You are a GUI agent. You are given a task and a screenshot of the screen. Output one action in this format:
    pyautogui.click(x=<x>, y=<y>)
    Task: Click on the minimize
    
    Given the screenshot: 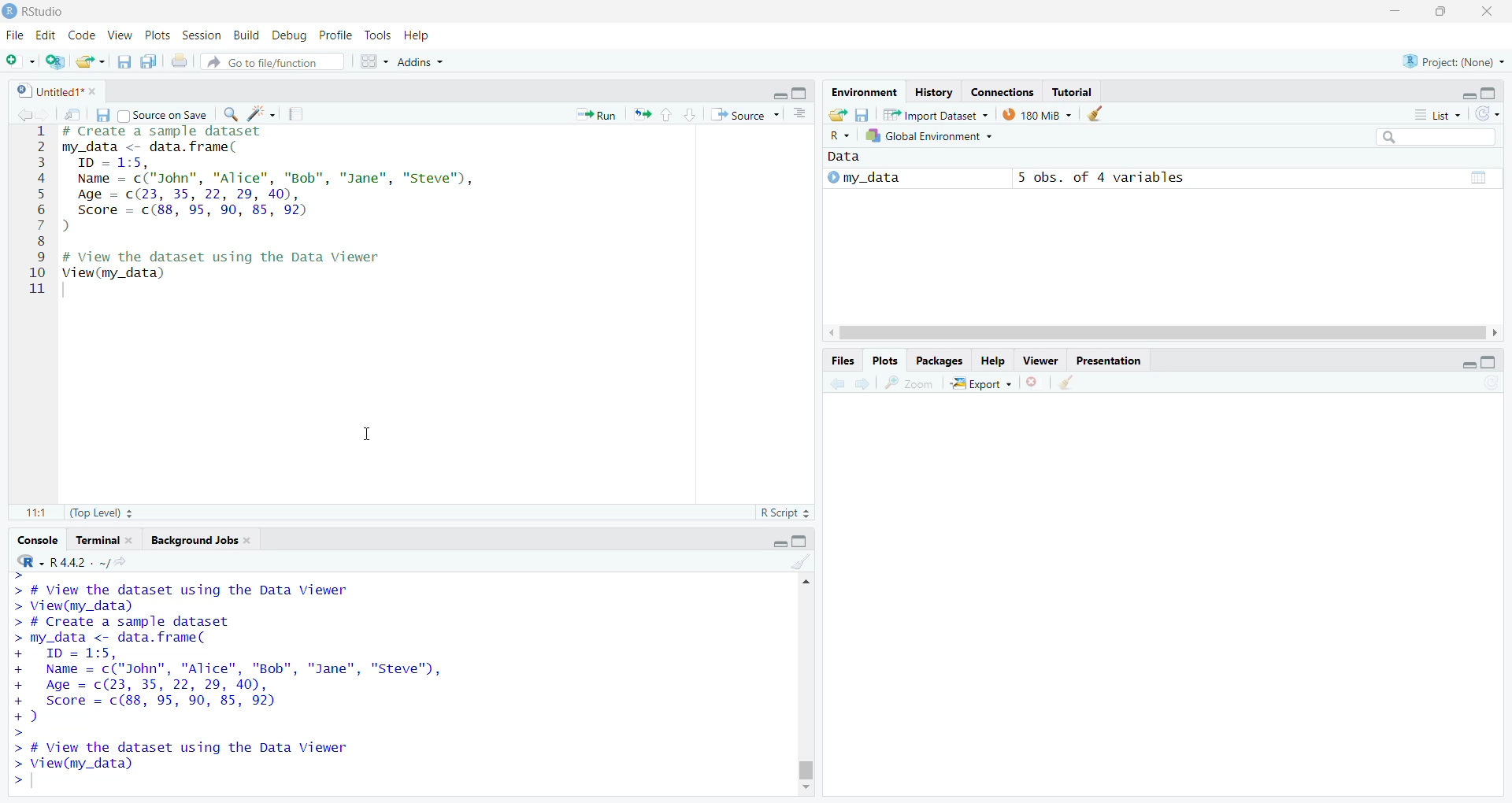 What is the action you would take?
    pyautogui.click(x=1466, y=97)
    